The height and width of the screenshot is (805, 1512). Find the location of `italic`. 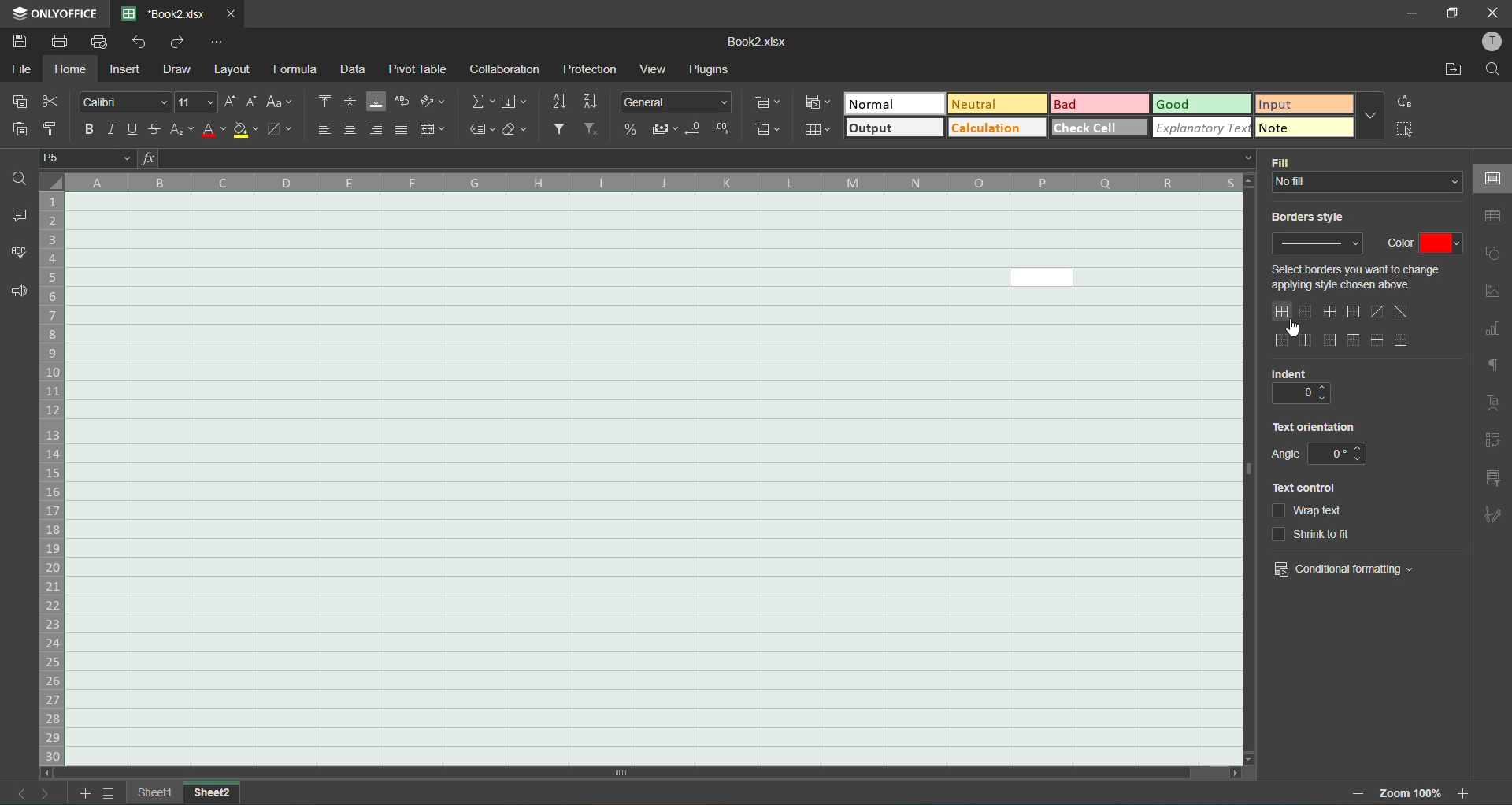

italic is located at coordinates (110, 128).